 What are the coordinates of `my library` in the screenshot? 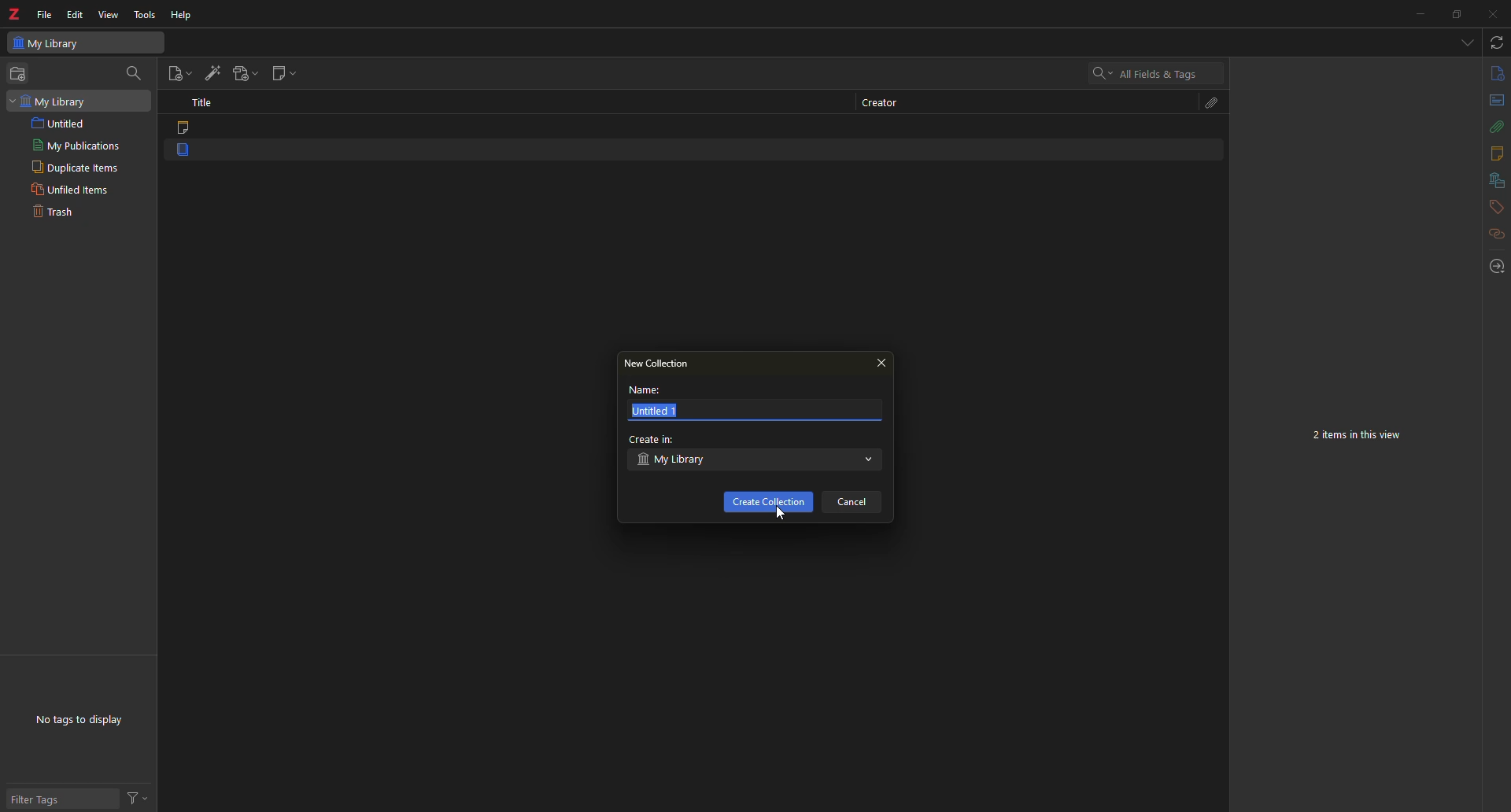 It's located at (48, 101).